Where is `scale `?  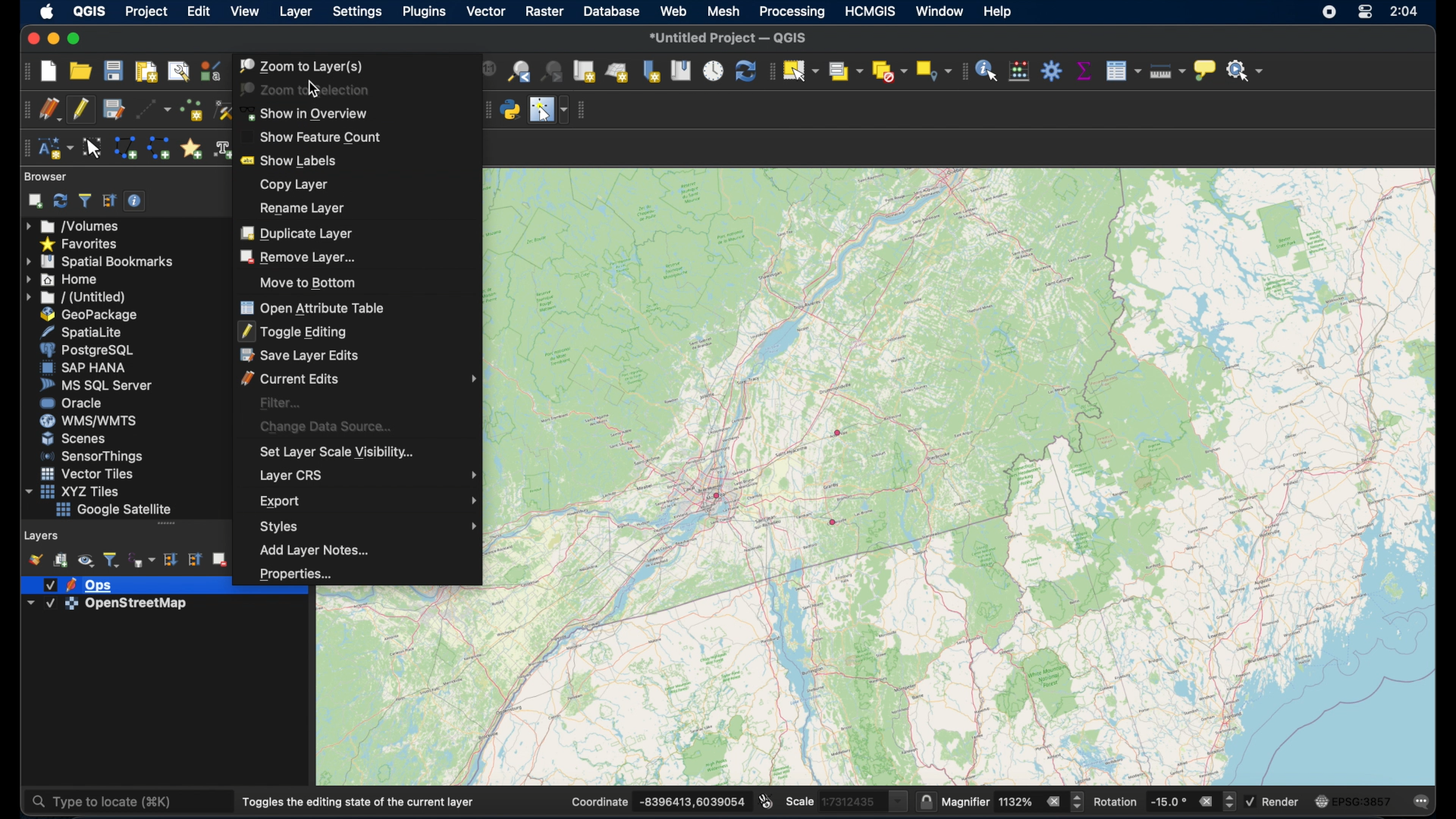 scale  is located at coordinates (843, 802).